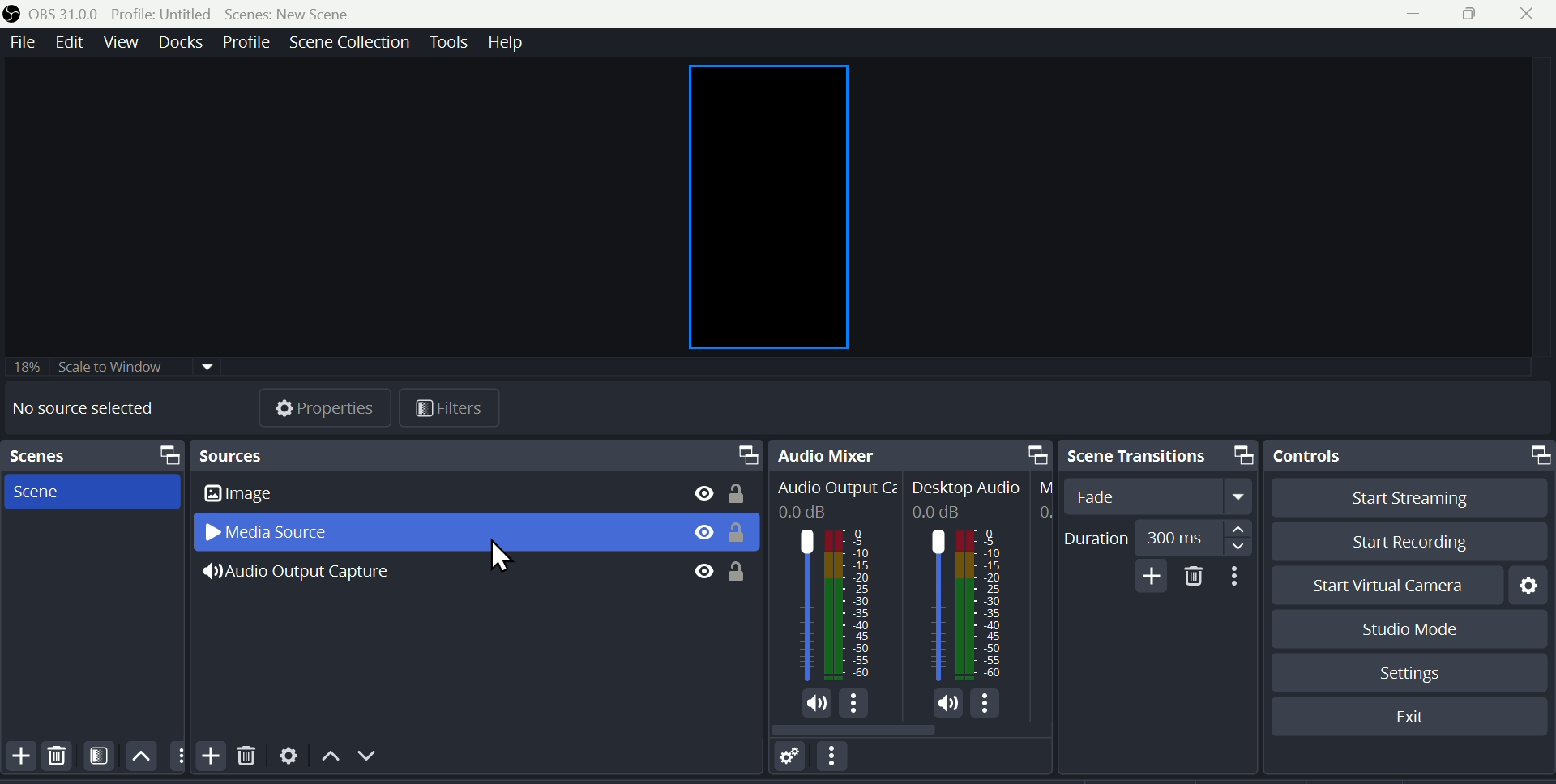 The width and height of the screenshot is (1556, 784). What do you see at coordinates (348, 40) in the screenshot?
I see `Scene collection` at bounding box center [348, 40].